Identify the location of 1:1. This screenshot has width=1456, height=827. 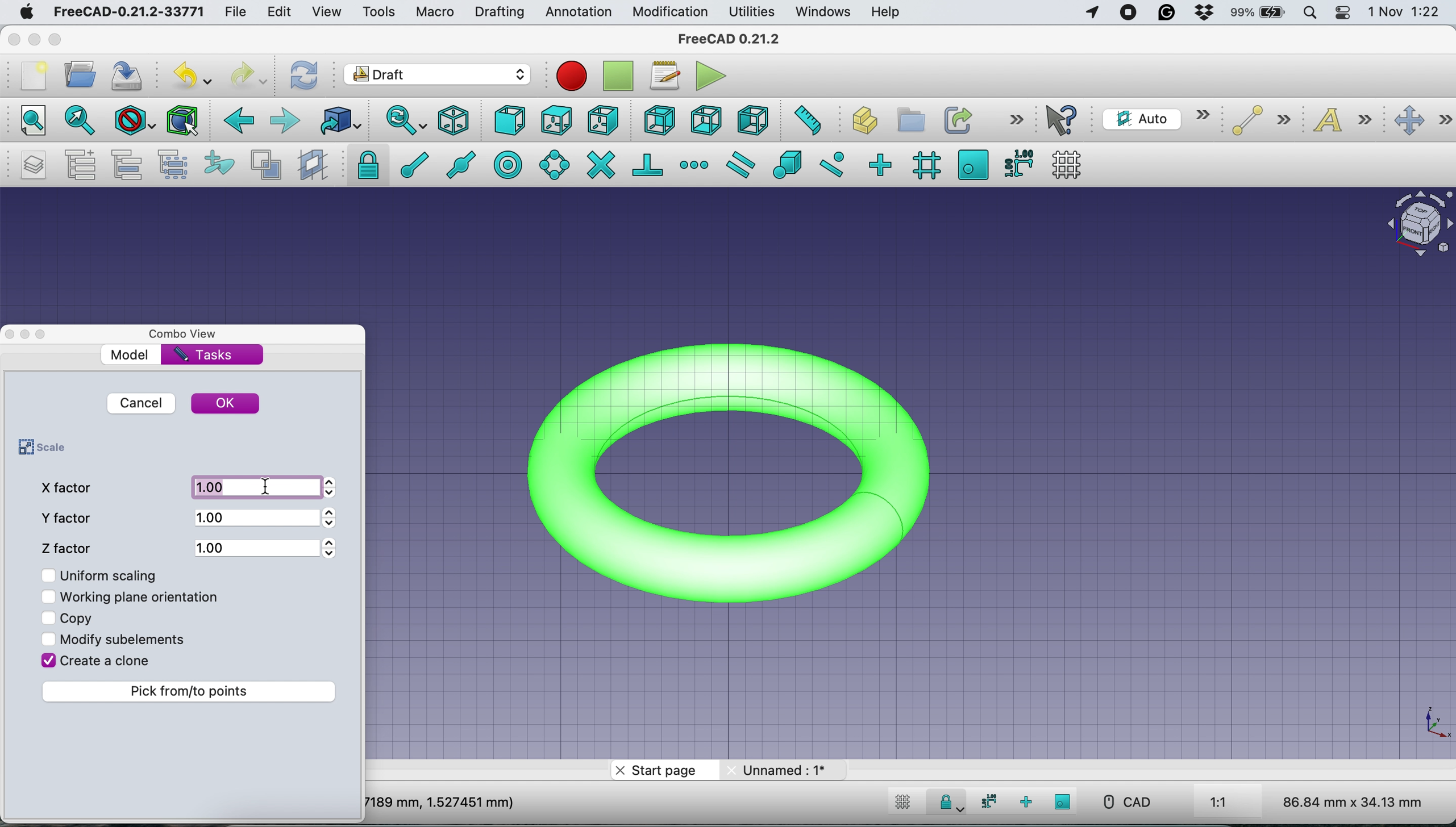
(1232, 803).